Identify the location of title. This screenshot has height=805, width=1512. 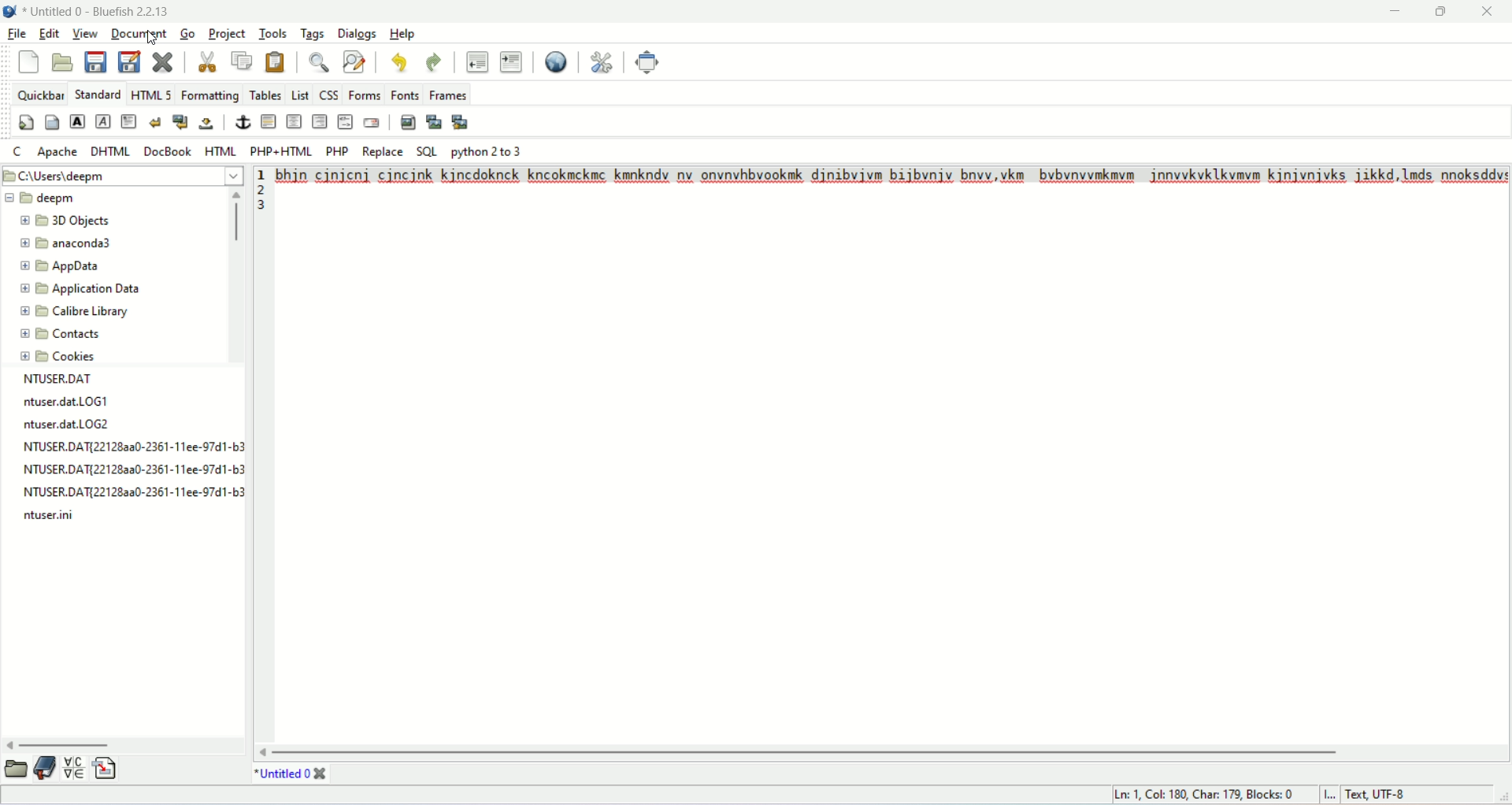
(292, 773).